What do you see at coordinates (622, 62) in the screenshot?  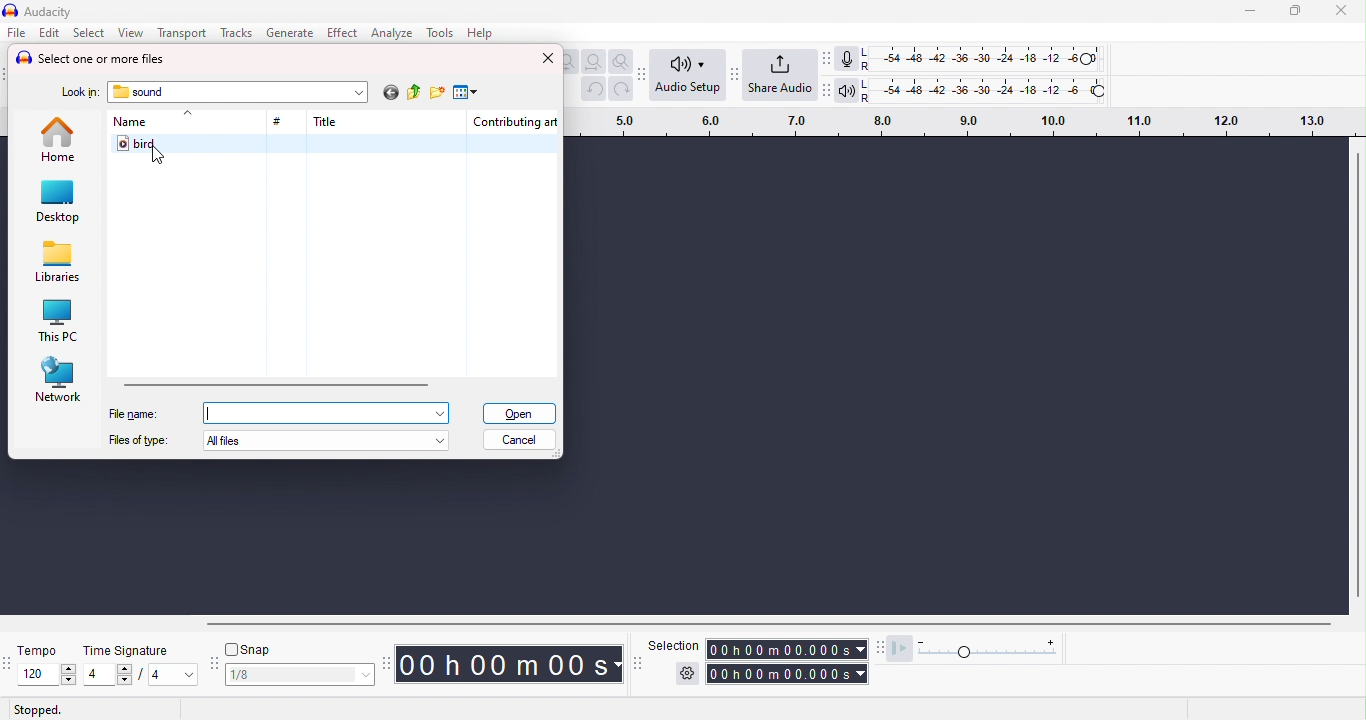 I see `toggle zoom` at bounding box center [622, 62].